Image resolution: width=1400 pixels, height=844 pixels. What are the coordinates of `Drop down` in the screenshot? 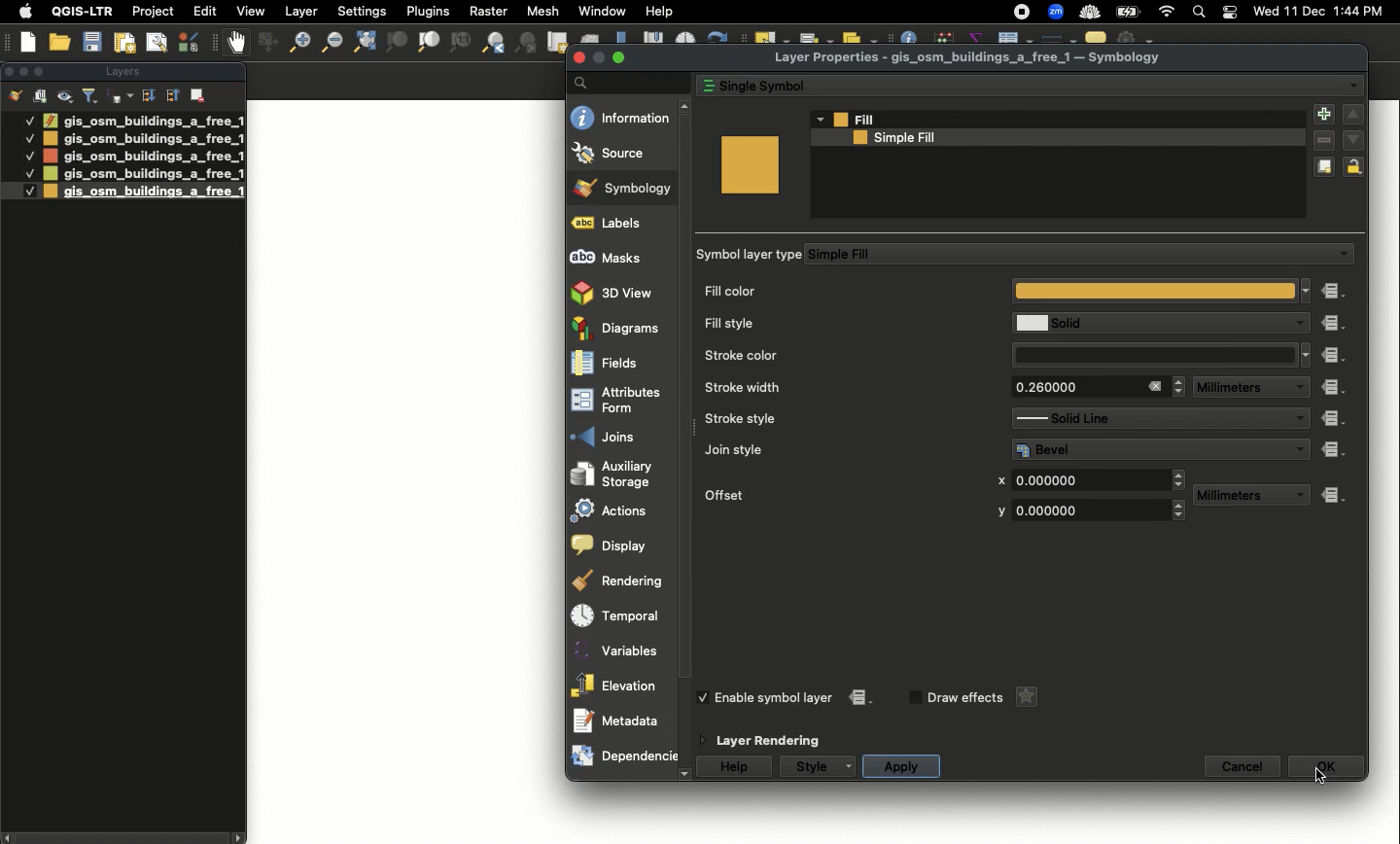 It's located at (852, 766).